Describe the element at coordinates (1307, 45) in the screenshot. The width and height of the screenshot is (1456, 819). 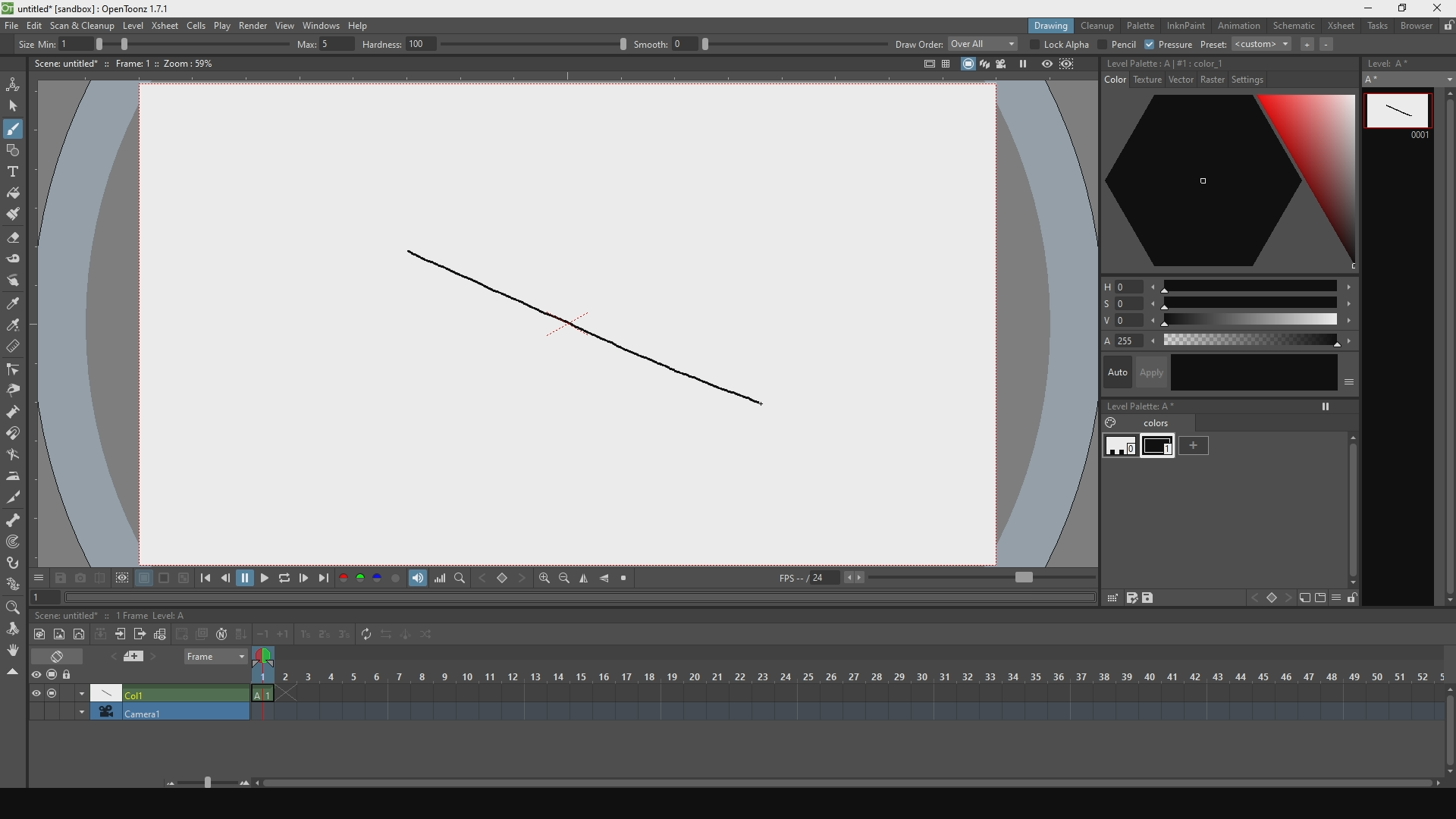
I see `` at that location.